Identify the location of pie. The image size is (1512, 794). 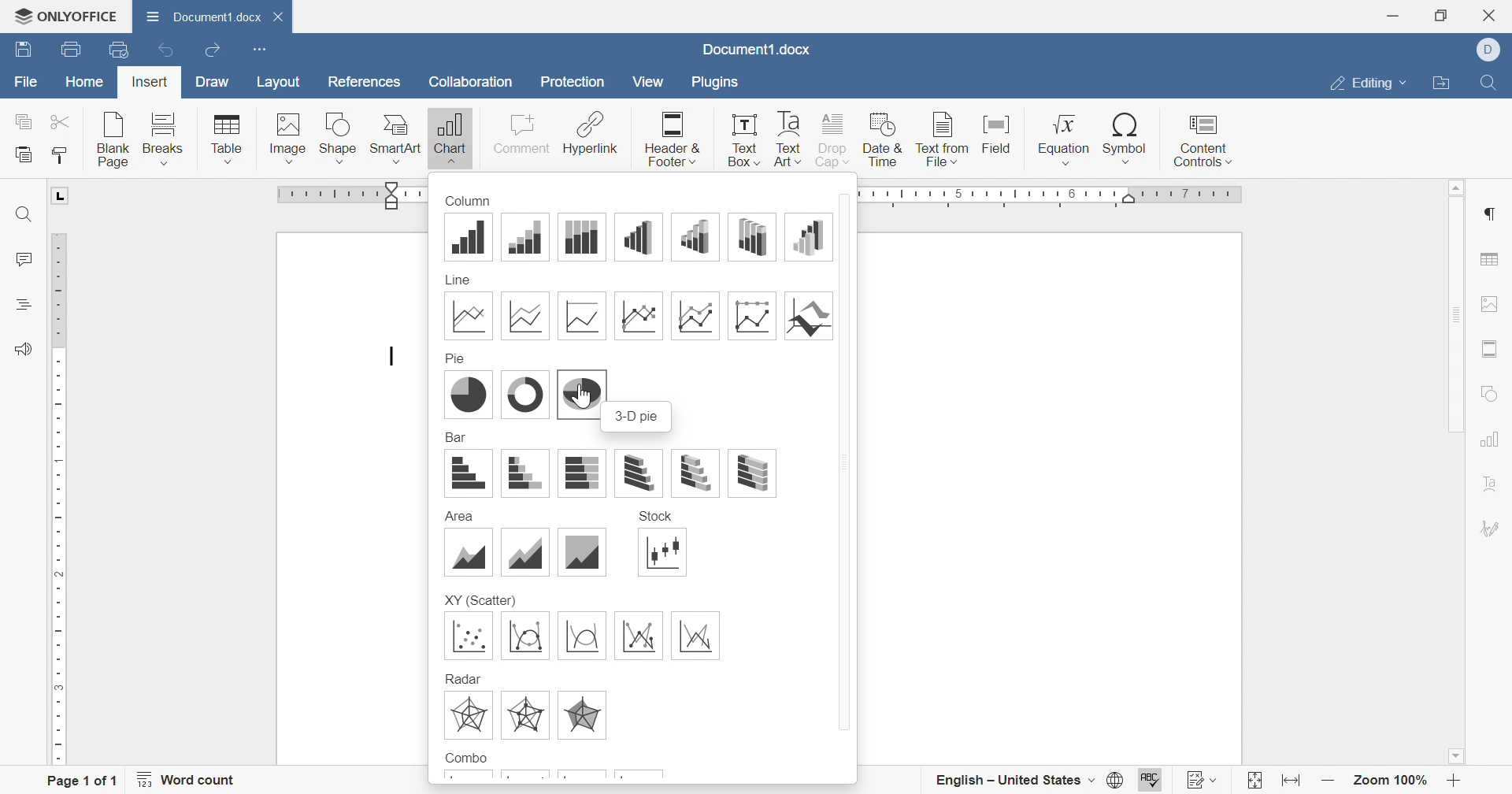
(468, 395).